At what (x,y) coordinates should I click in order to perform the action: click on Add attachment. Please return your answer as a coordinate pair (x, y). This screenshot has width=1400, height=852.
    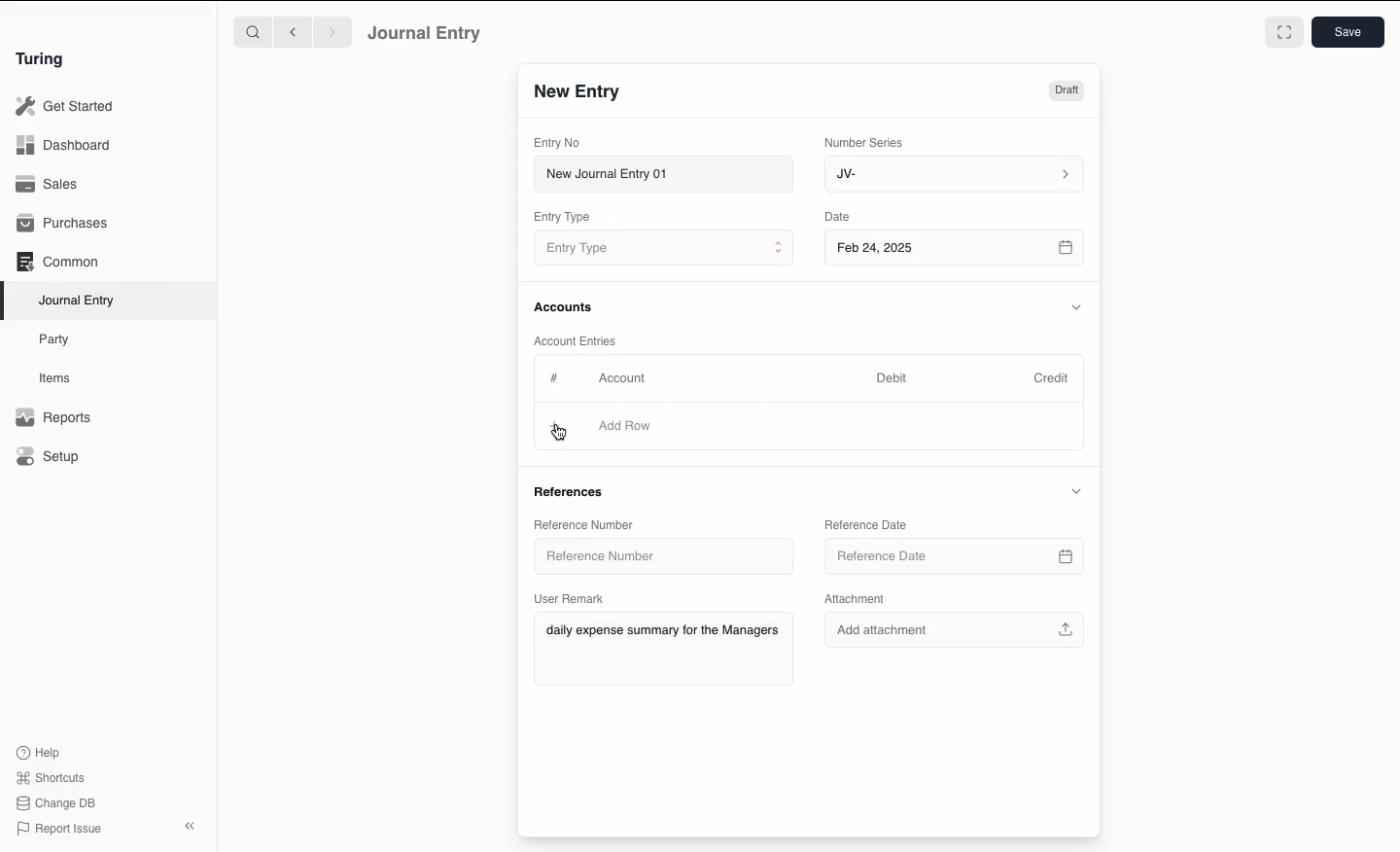
    Looking at the image, I should click on (955, 629).